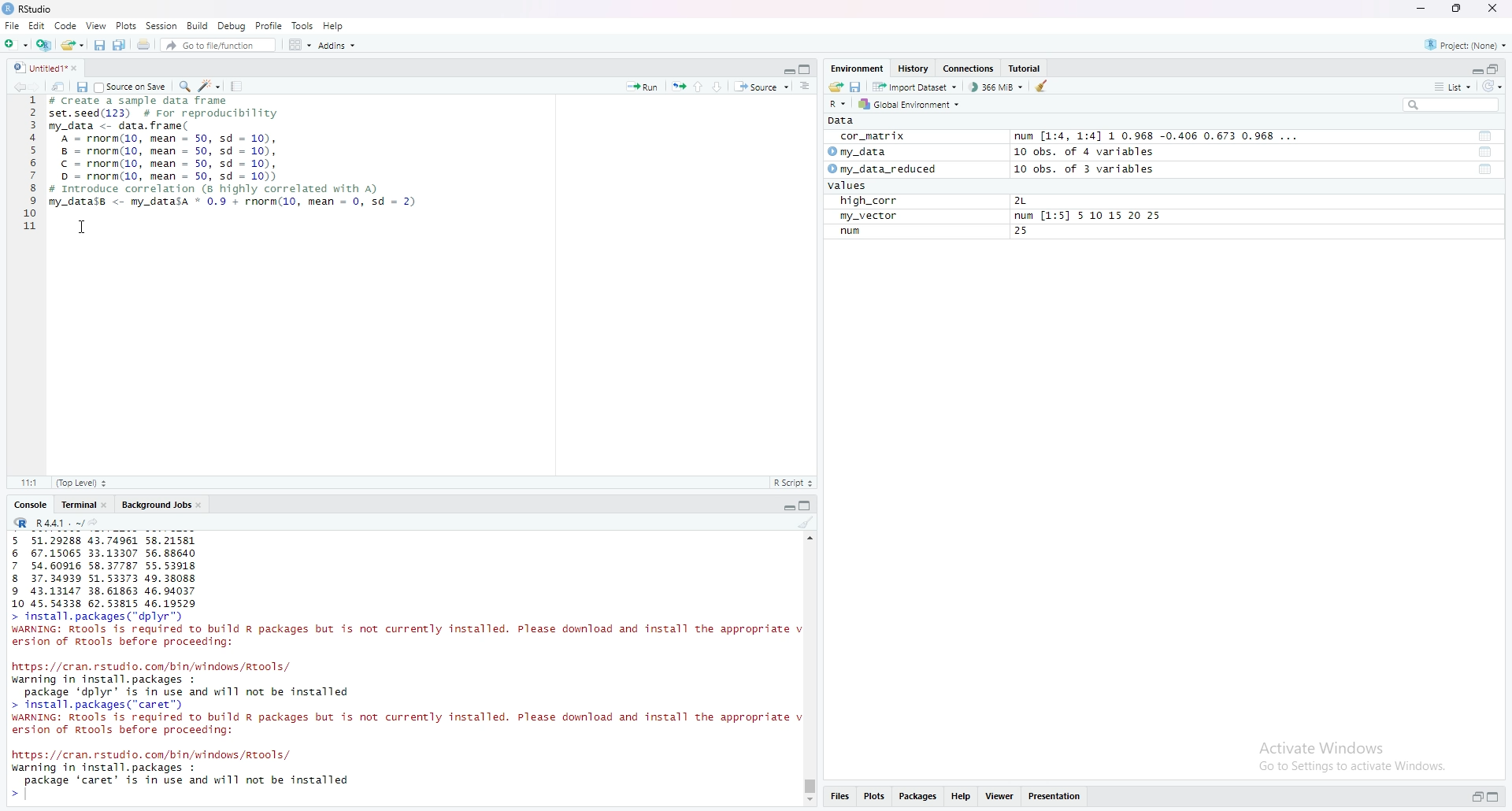  What do you see at coordinates (764, 87) in the screenshot?
I see `Source` at bounding box center [764, 87].